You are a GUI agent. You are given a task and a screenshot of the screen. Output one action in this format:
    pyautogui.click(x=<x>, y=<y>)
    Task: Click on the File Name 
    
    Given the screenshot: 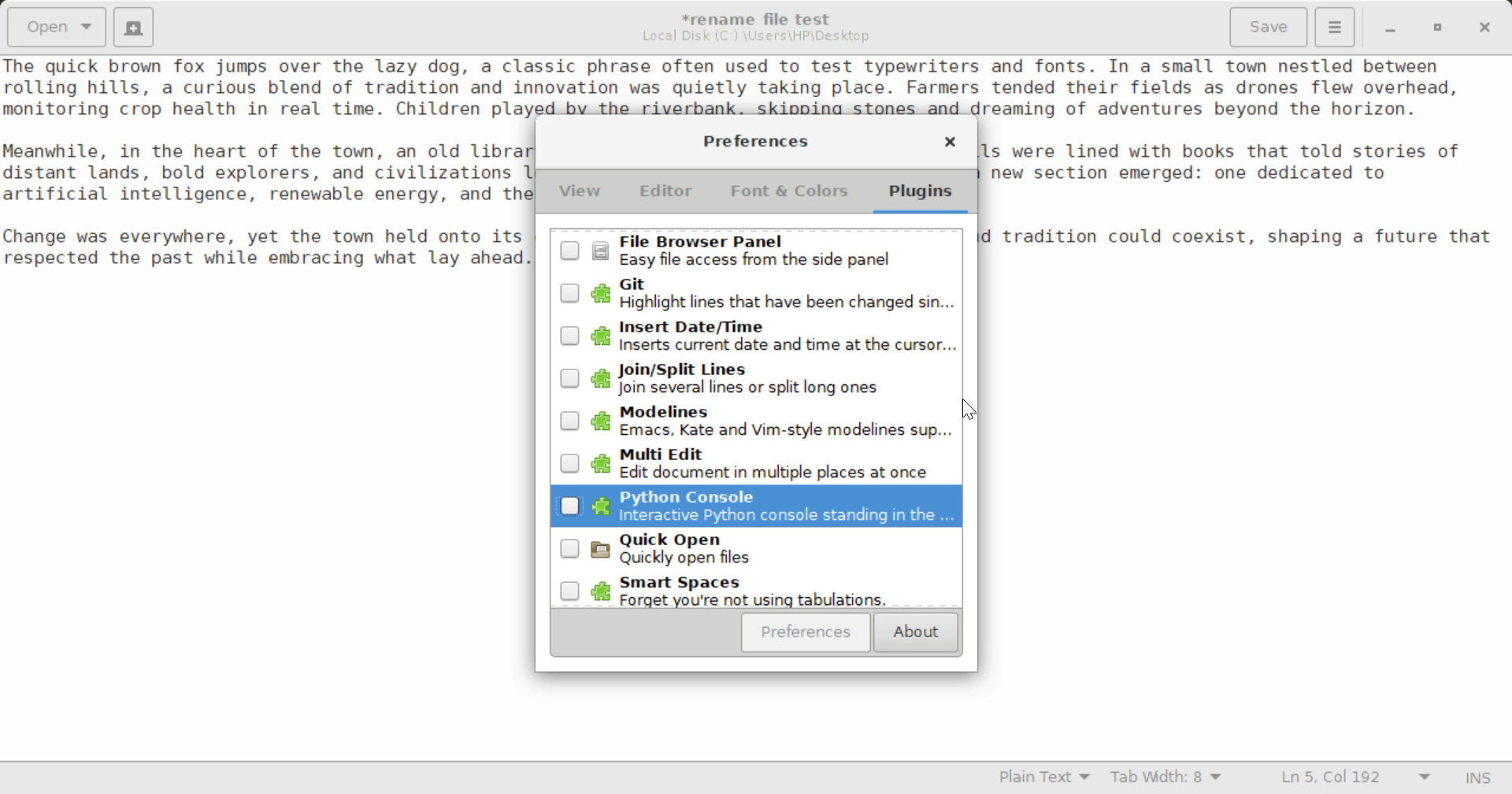 What is the action you would take?
    pyautogui.click(x=761, y=17)
    